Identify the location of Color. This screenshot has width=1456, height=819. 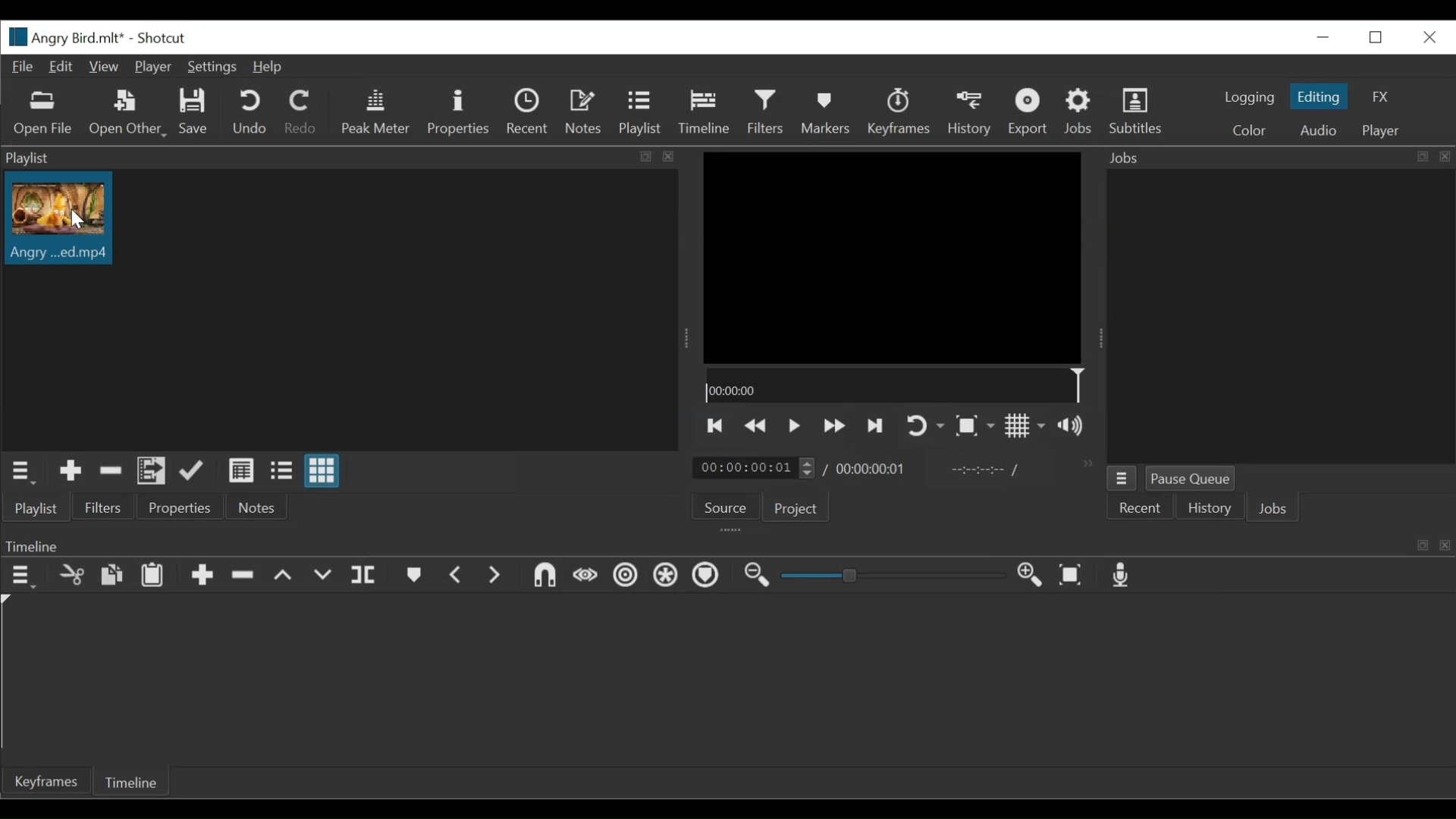
(1252, 132).